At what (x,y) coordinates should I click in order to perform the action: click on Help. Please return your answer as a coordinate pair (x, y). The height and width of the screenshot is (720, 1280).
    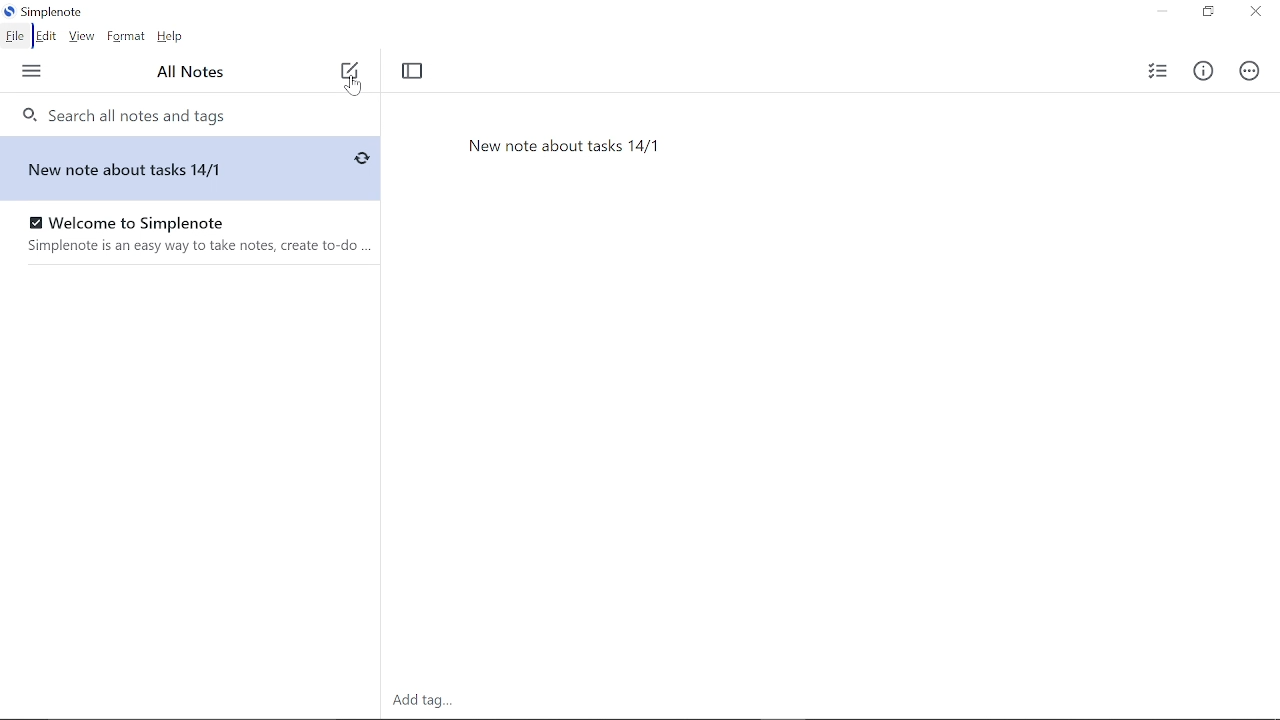
    Looking at the image, I should click on (172, 37).